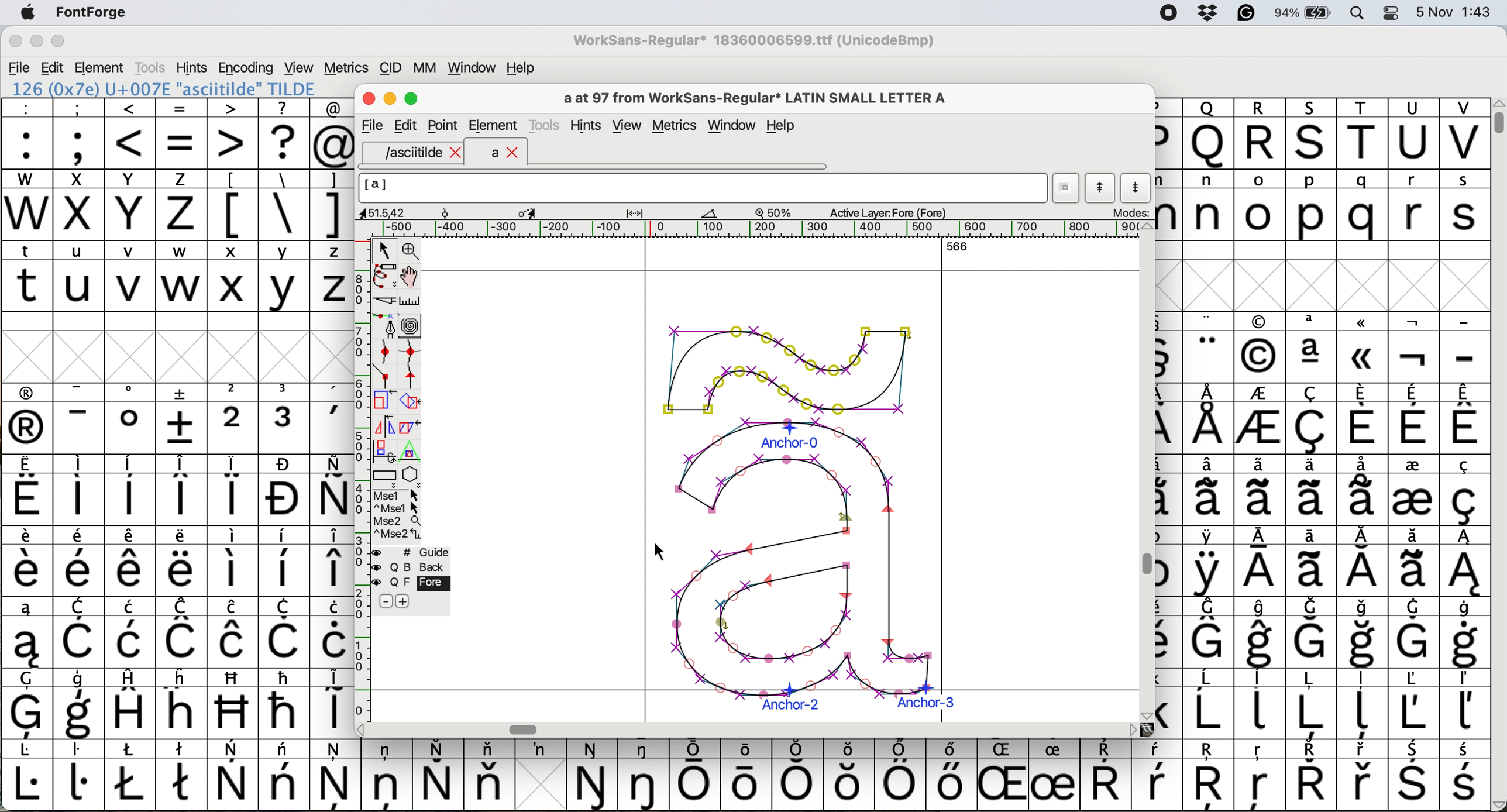 Image resolution: width=1507 pixels, height=812 pixels. What do you see at coordinates (1463, 490) in the screenshot?
I see `symbol` at bounding box center [1463, 490].